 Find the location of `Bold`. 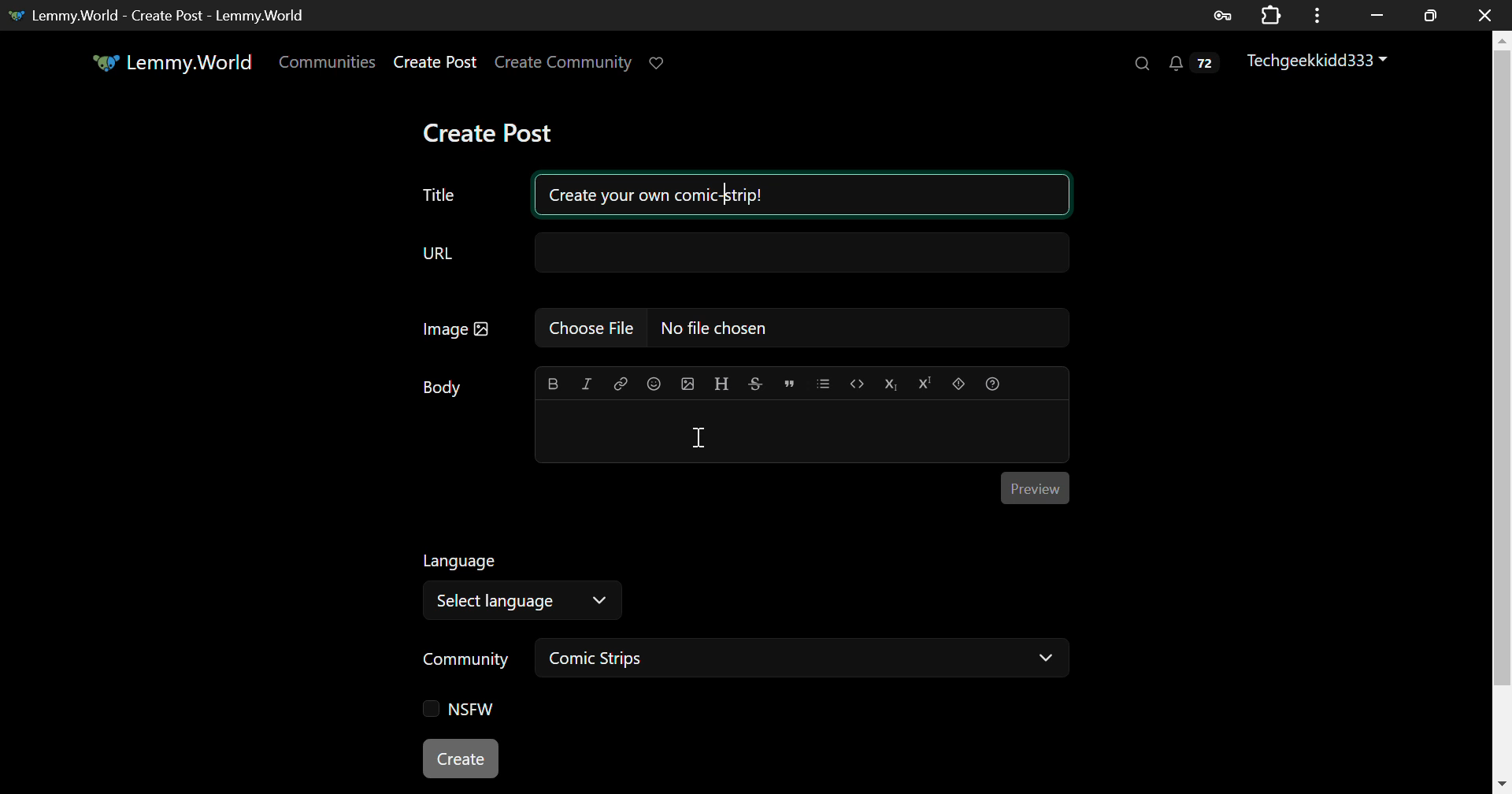

Bold is located at coordinates (552, 385).